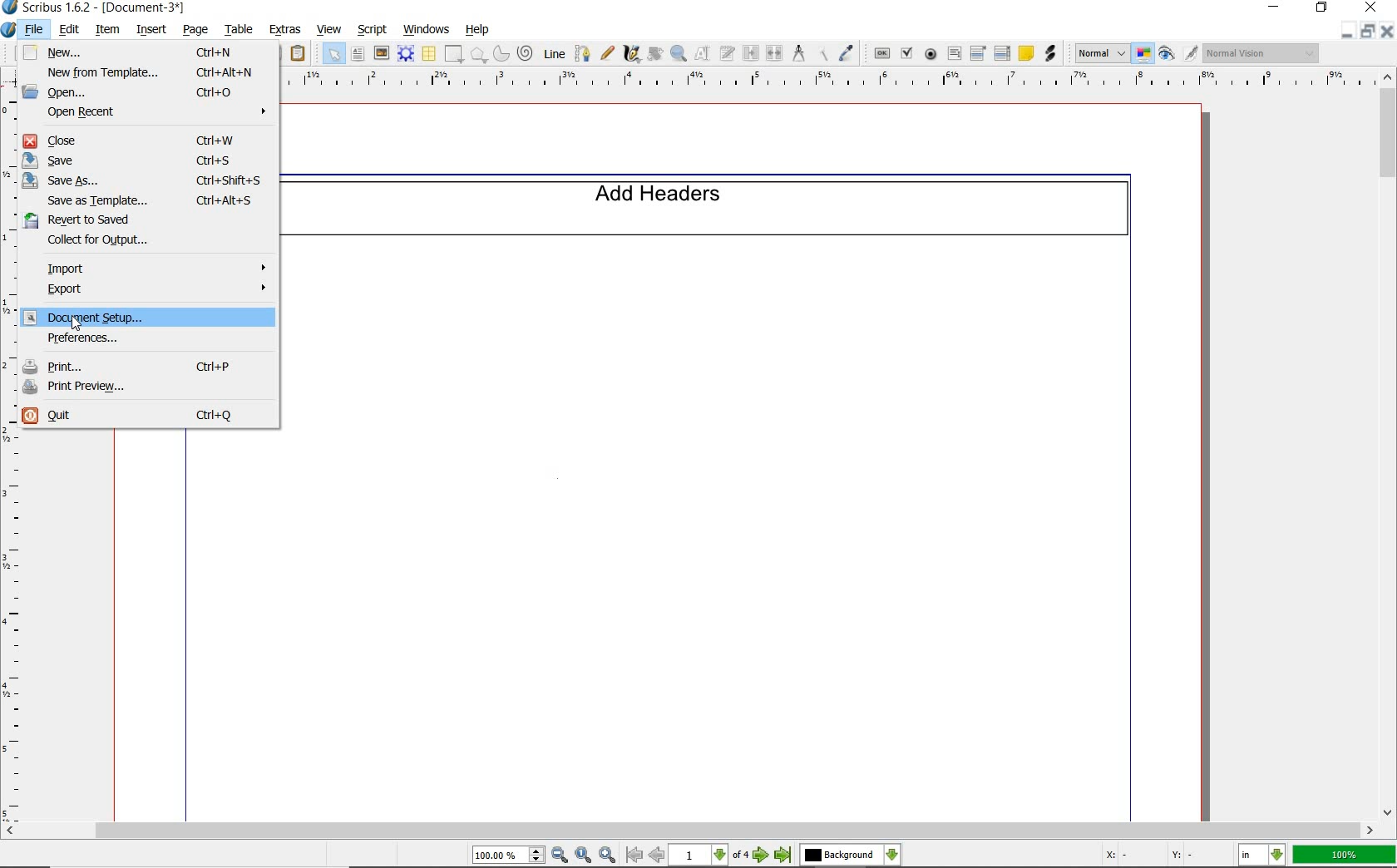 The width and height of the screenshot is (1397, 868). What do you see at coordinates (1349, 31) in the screenshot?
I see `minimize` at bounding box center [1349, 31].